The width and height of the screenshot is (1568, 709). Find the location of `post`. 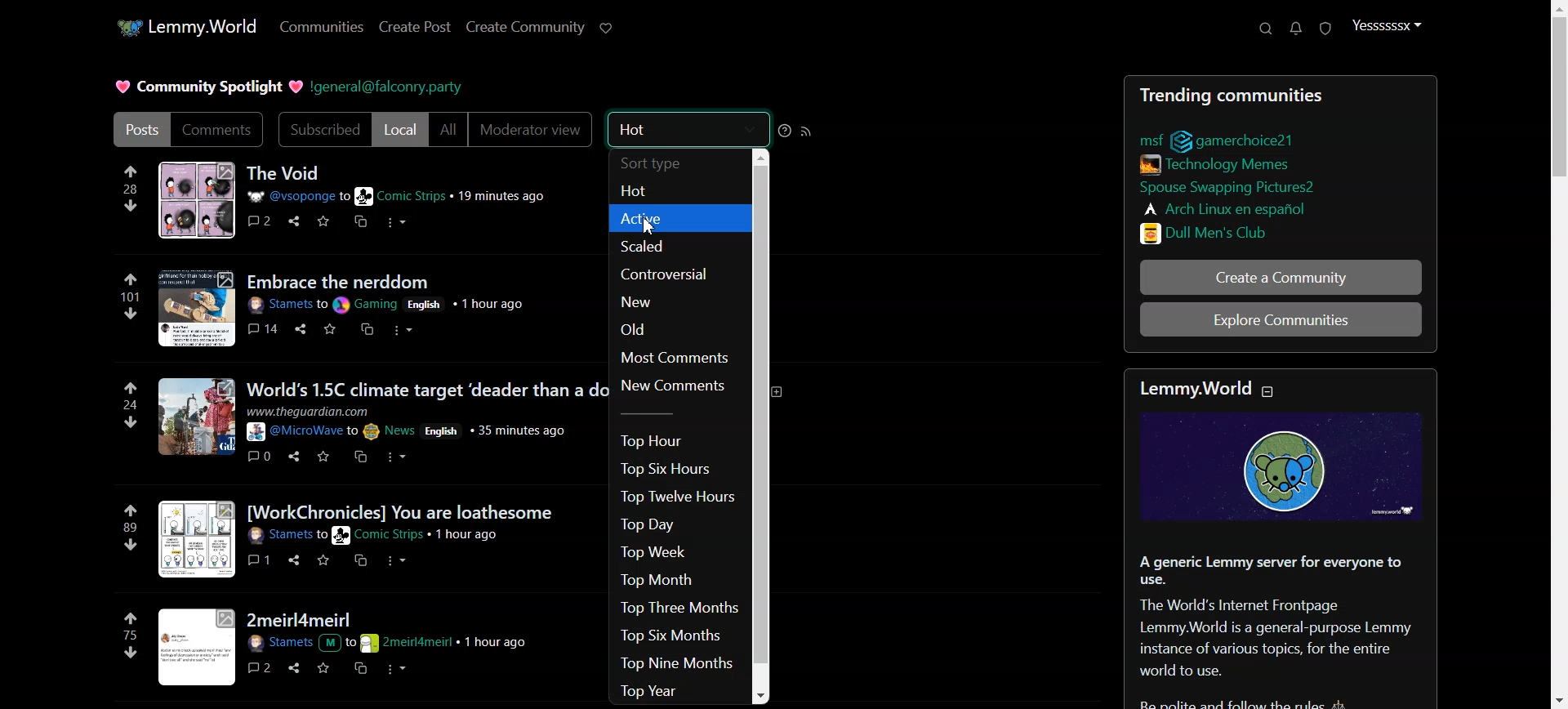

post is located at coordinates (420, 276).